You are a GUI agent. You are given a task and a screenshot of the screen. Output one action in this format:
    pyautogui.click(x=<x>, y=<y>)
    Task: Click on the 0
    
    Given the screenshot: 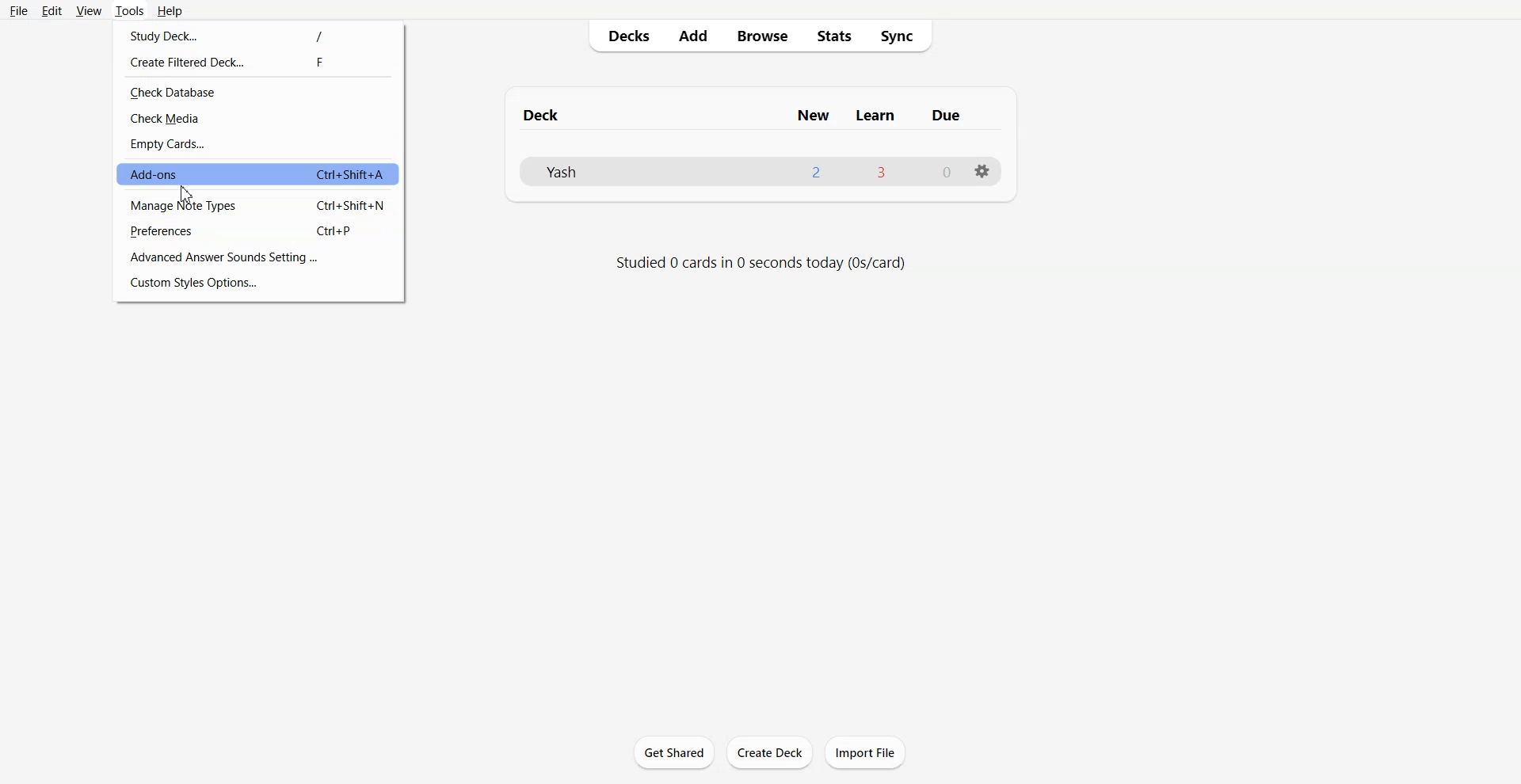 What is the action you would take?
    pyautogui.click(x=947, y=173)
    